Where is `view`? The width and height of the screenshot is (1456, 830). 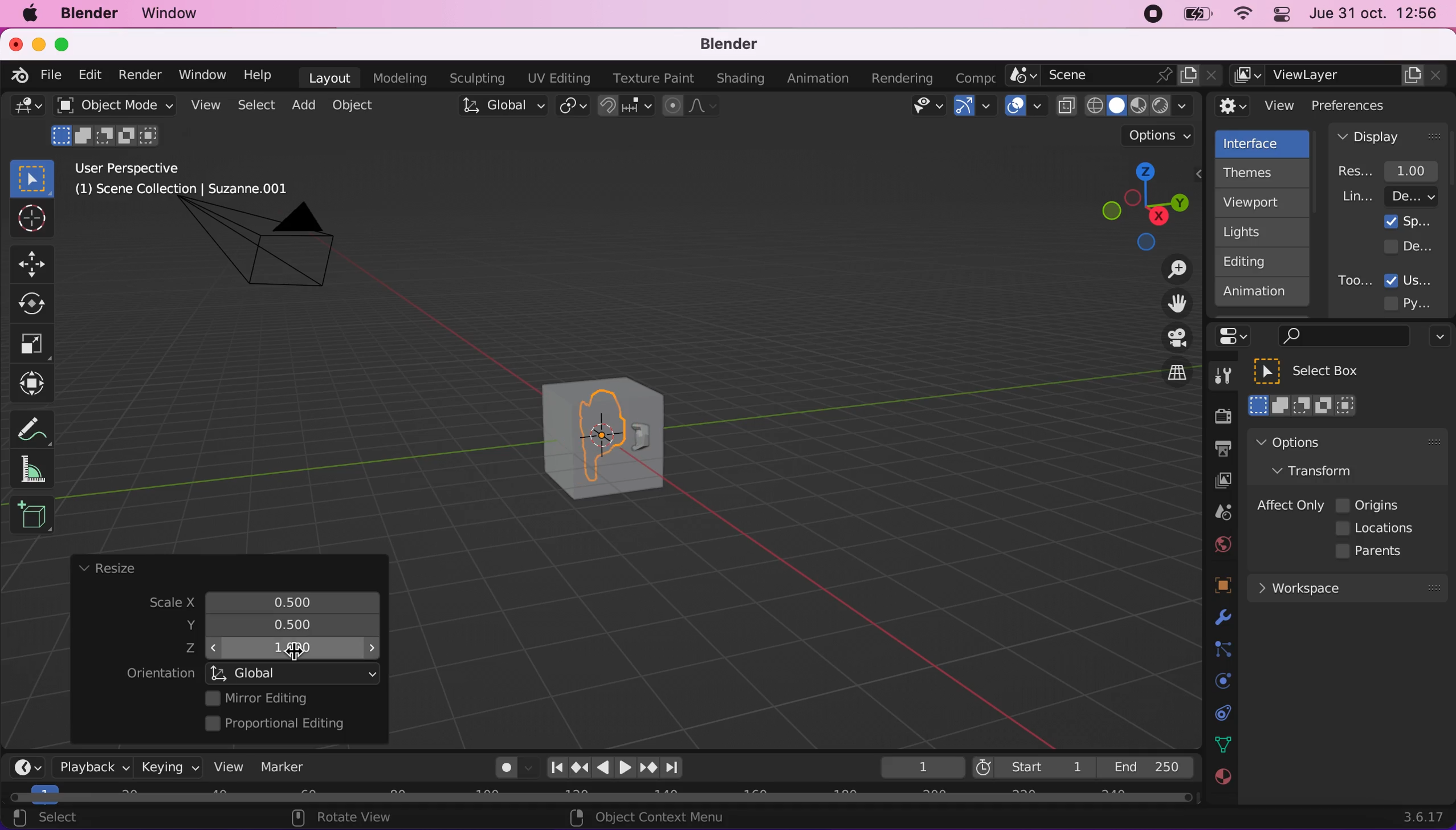
view is located at coordinates (203, 105).